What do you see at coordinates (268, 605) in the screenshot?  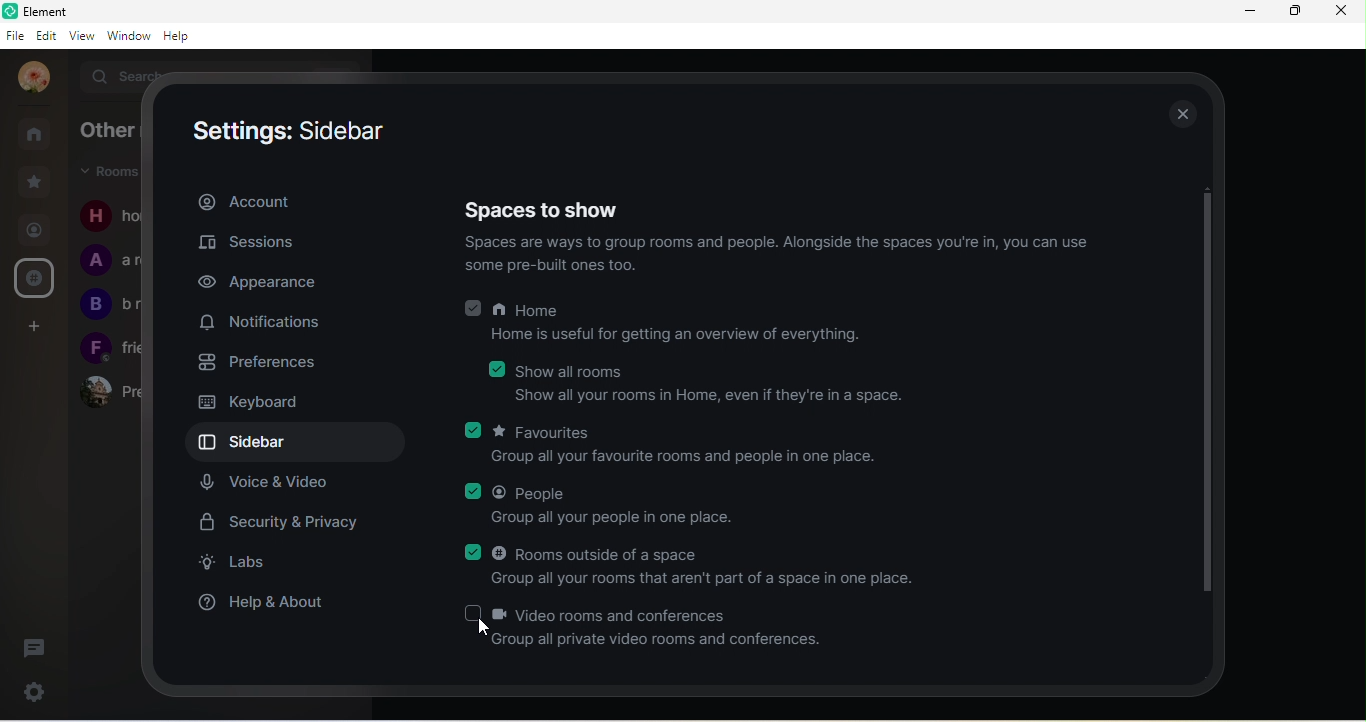 I see `help about` at bounding box center [268, 605].